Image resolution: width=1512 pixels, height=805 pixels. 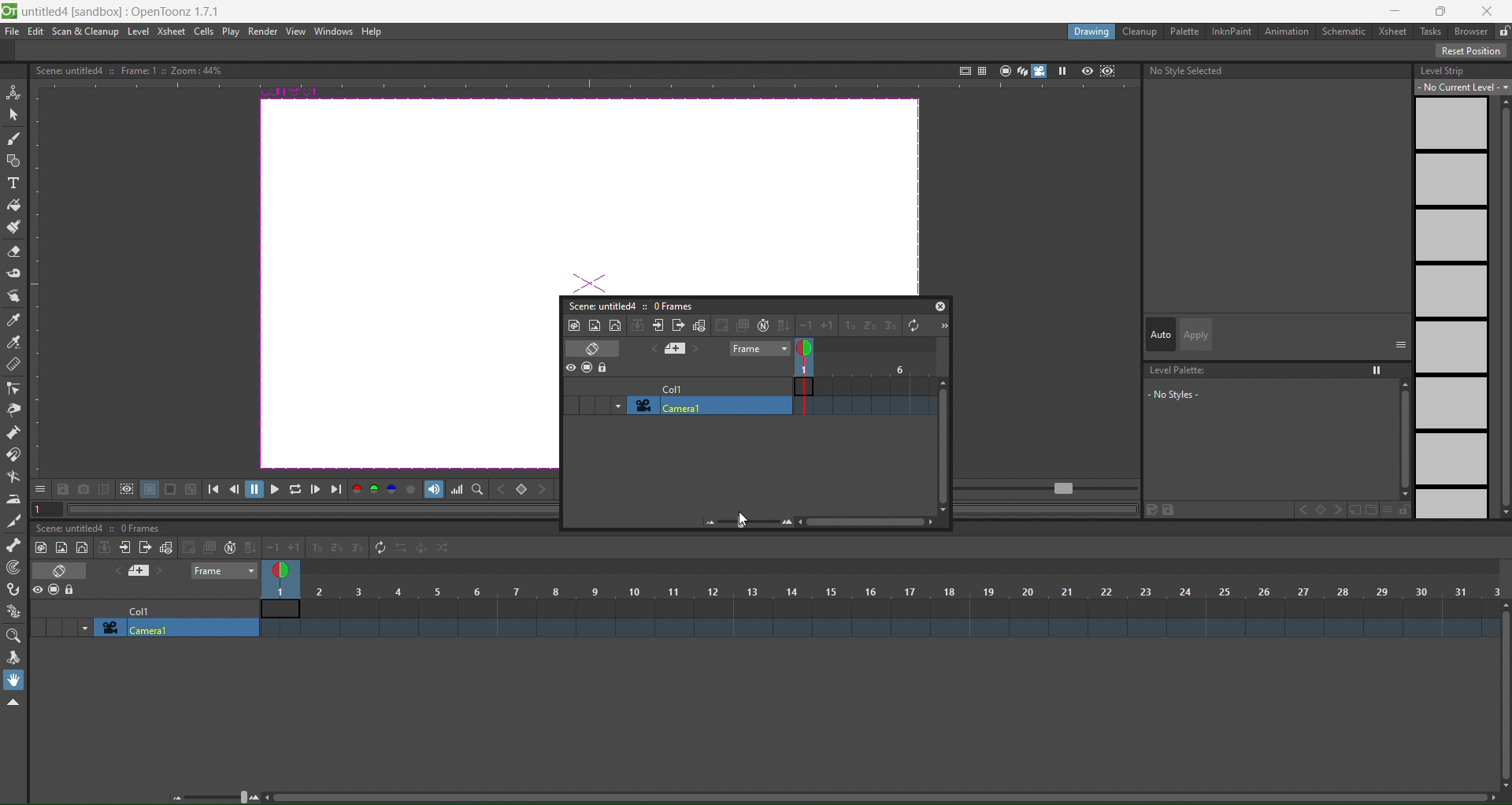 What do you see at coordinates (74, 528) in the screenshot?
I see `scene: untitled4` at bounding box center [74, 528].